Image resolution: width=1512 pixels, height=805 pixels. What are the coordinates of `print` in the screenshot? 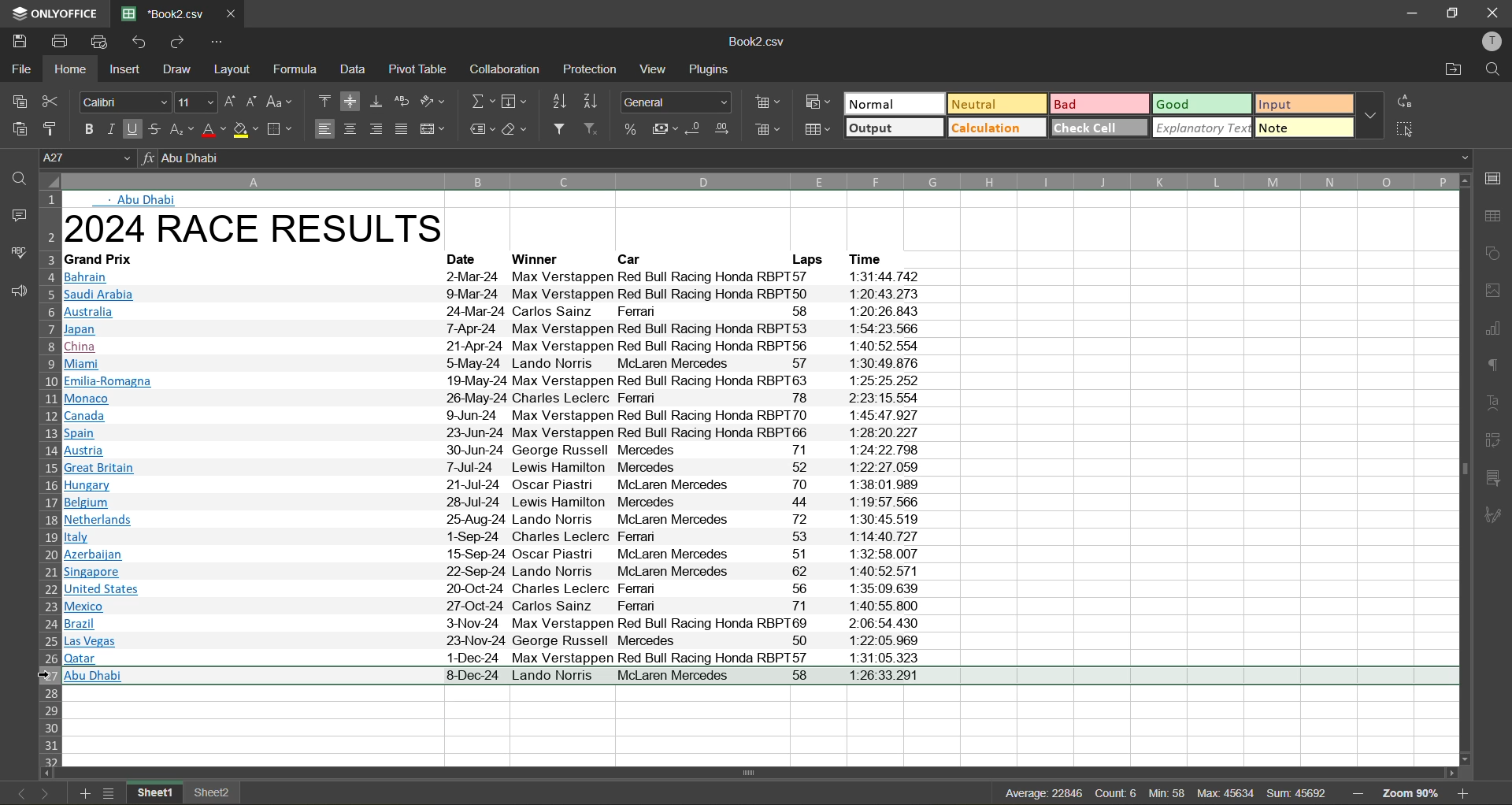 It's located at (59, 40).